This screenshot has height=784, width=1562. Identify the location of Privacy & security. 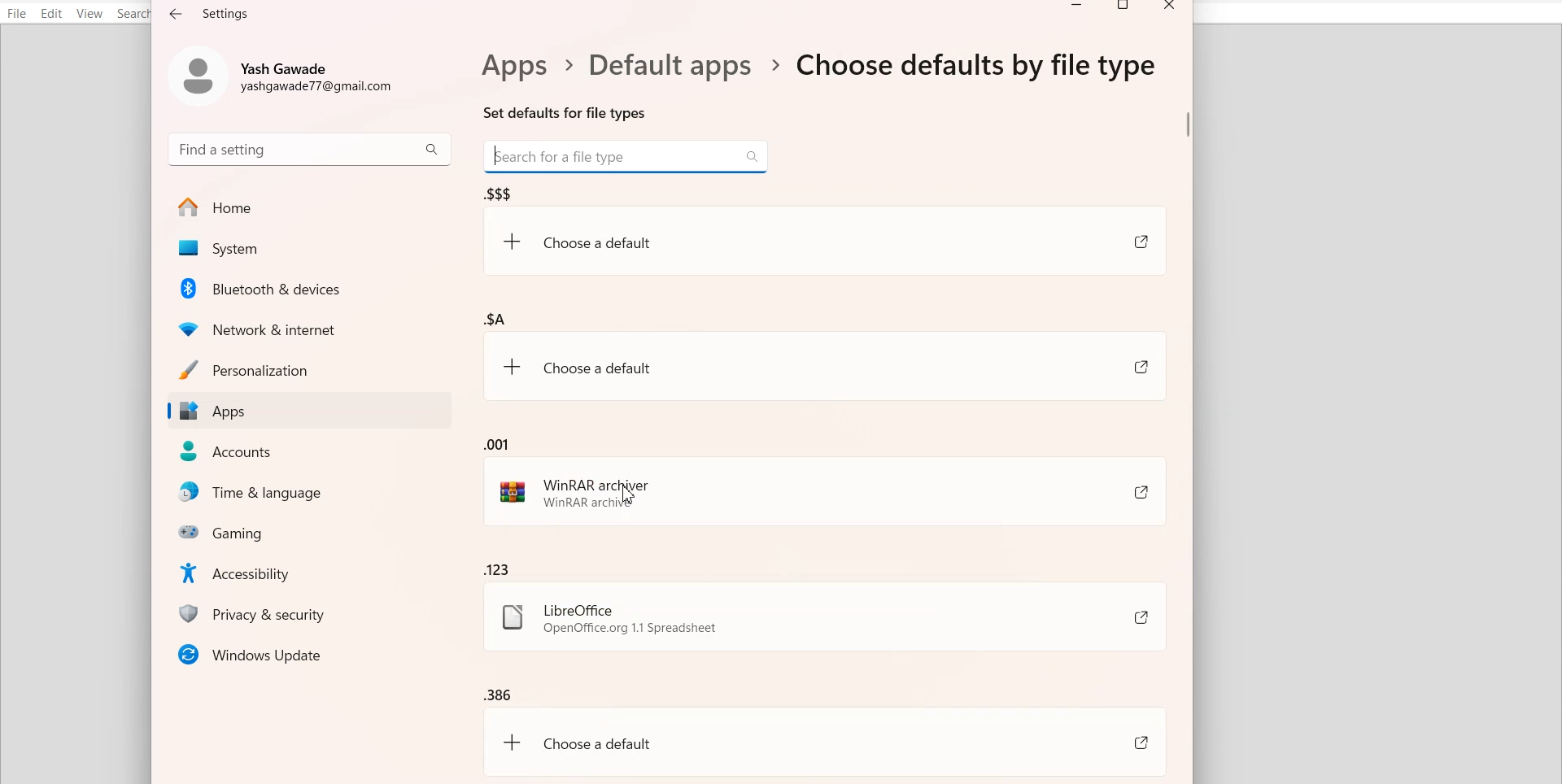
(314, 613).